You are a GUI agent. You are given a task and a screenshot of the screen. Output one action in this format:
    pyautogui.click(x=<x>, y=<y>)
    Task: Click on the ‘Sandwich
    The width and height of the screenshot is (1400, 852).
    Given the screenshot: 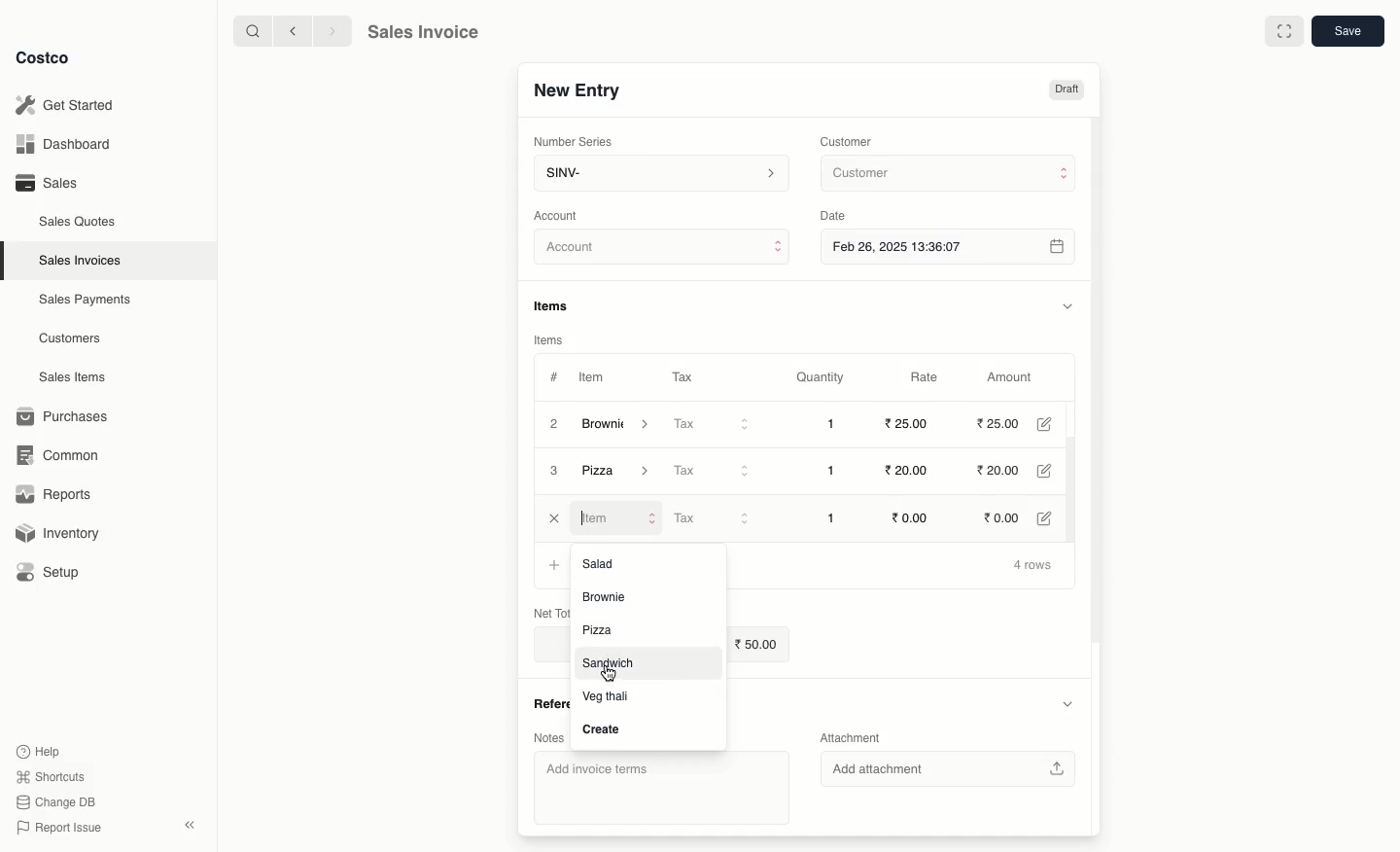 What is the action you would take?
    pyautogui.click(x=609, y=664)
    